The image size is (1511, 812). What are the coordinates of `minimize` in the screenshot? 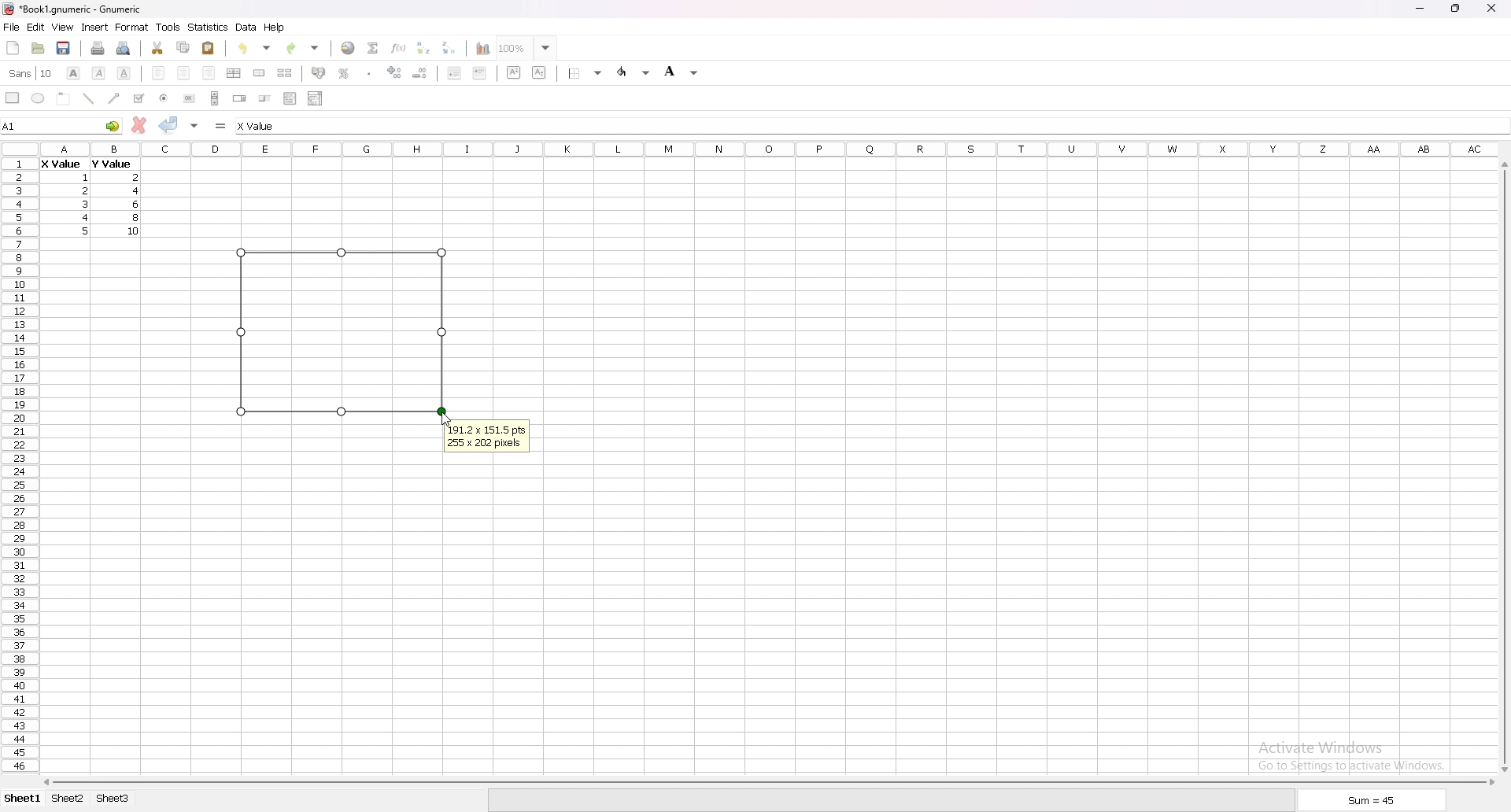 It's located at (1420, 9).